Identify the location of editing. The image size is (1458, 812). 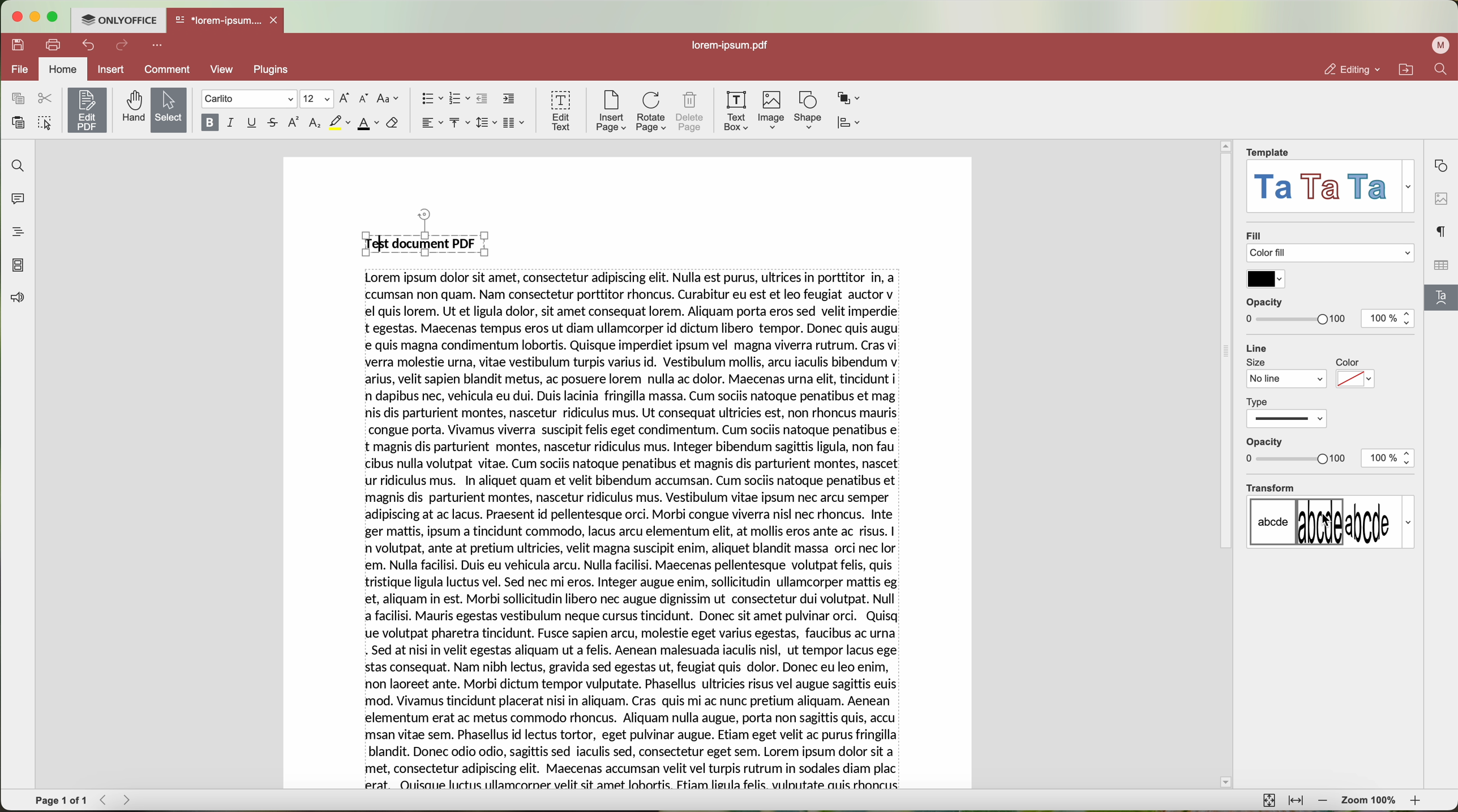
(1352, 69).